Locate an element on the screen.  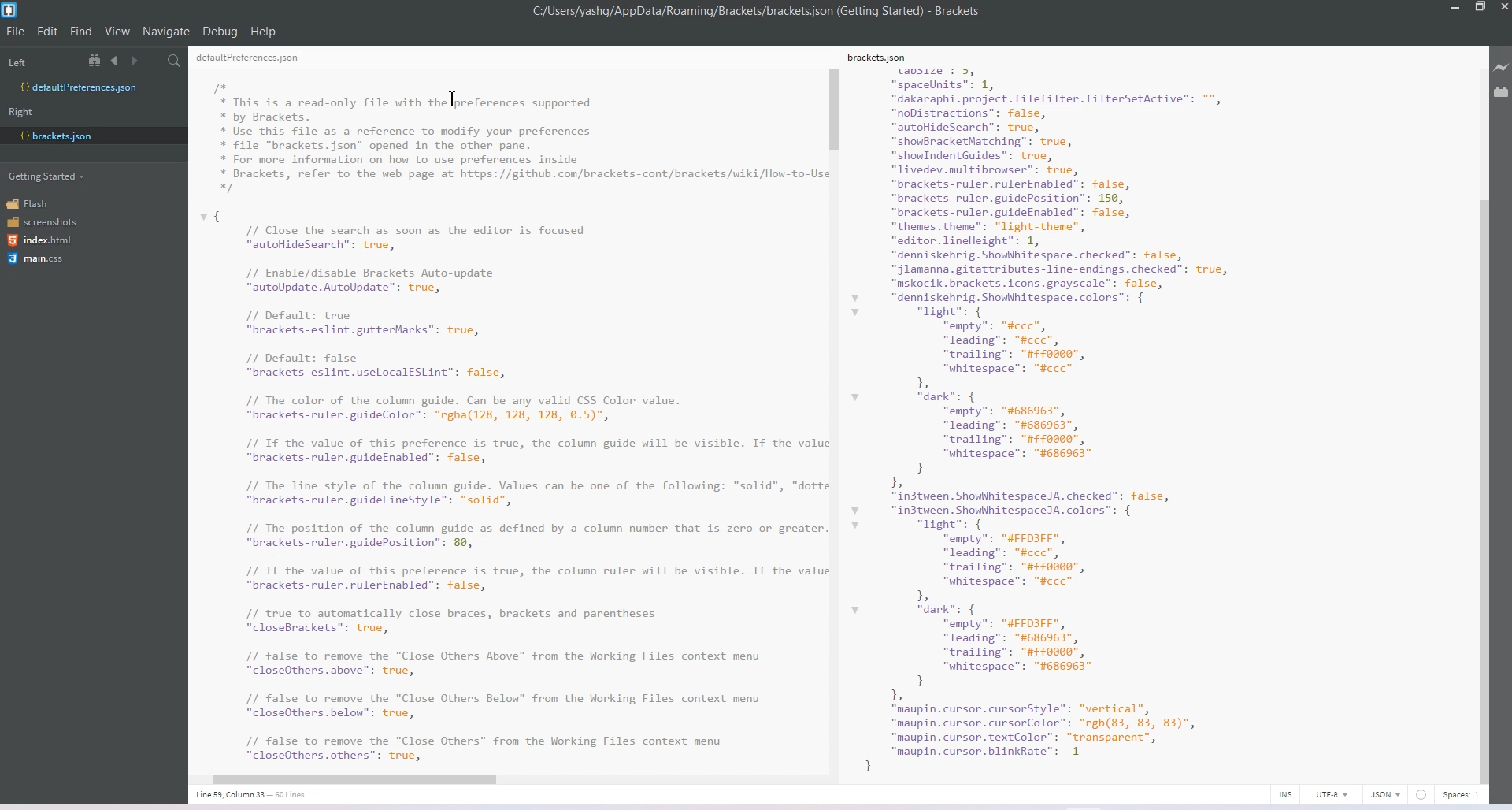
Horizontal Scroll Bar is located at coordinates (502, 776).